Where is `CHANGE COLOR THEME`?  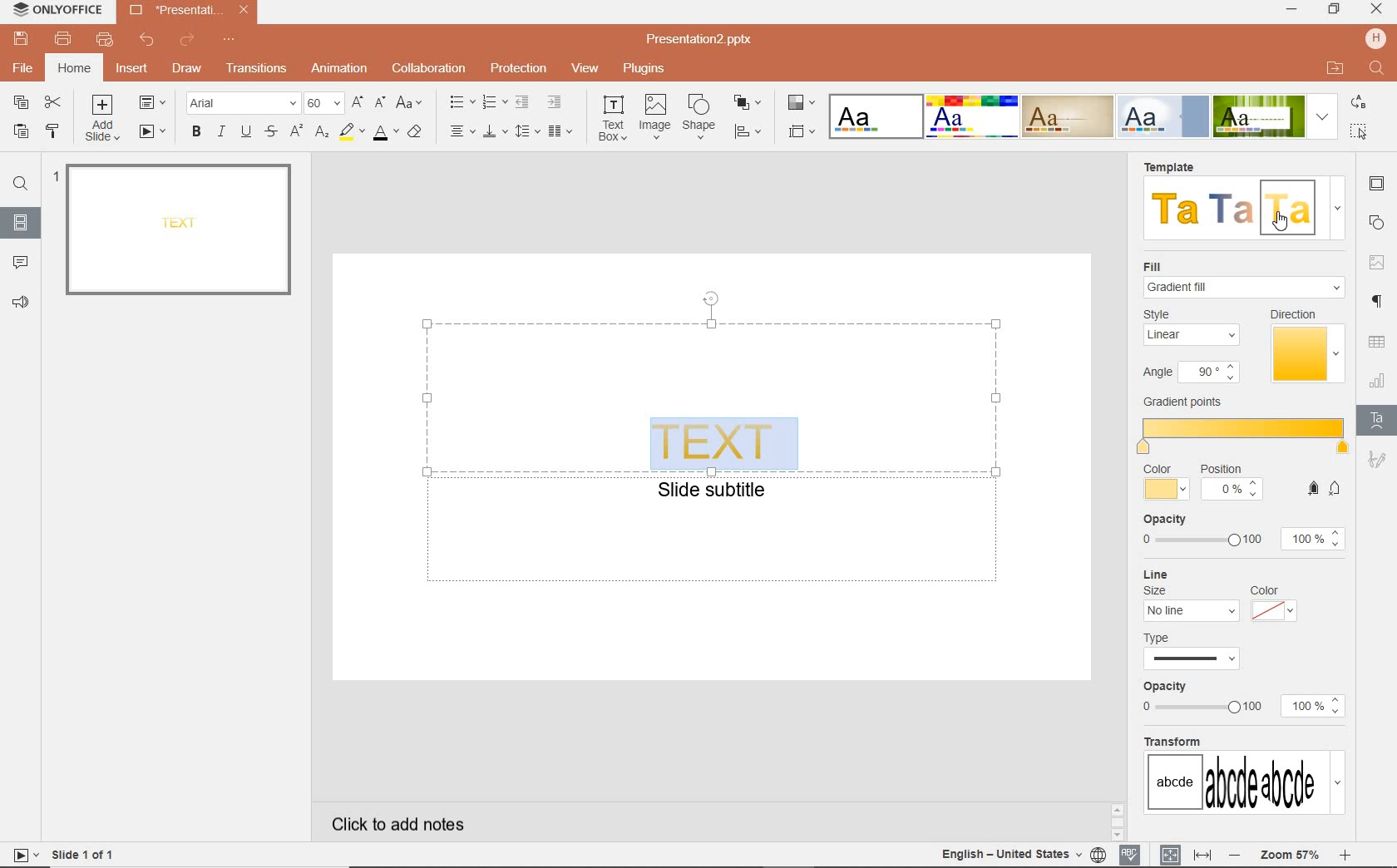
CHANGE COLOR THEME is located at coordinates (800, 104).